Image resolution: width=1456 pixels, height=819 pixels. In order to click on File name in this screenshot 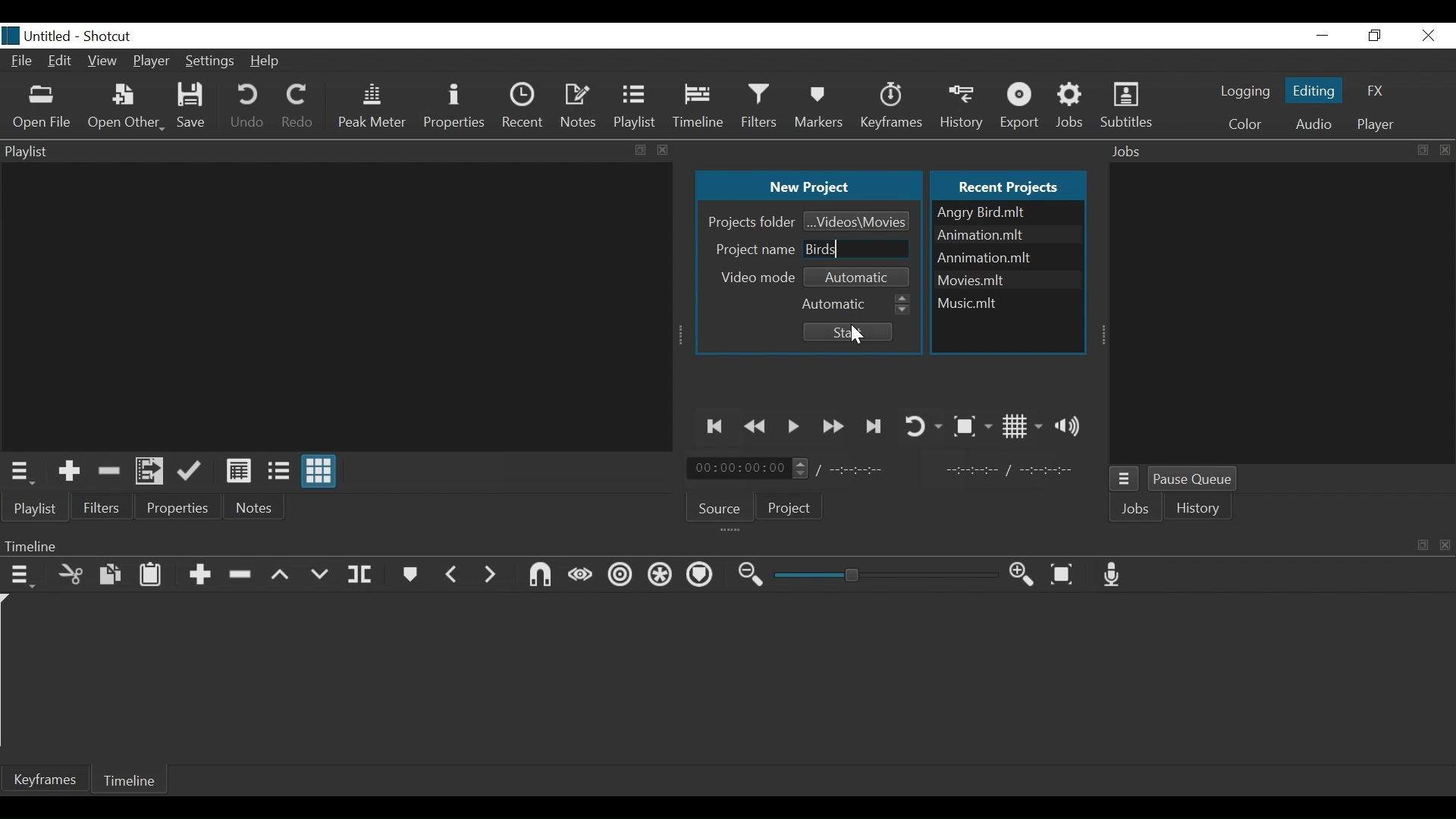, I will do `click(1006, 236)`.